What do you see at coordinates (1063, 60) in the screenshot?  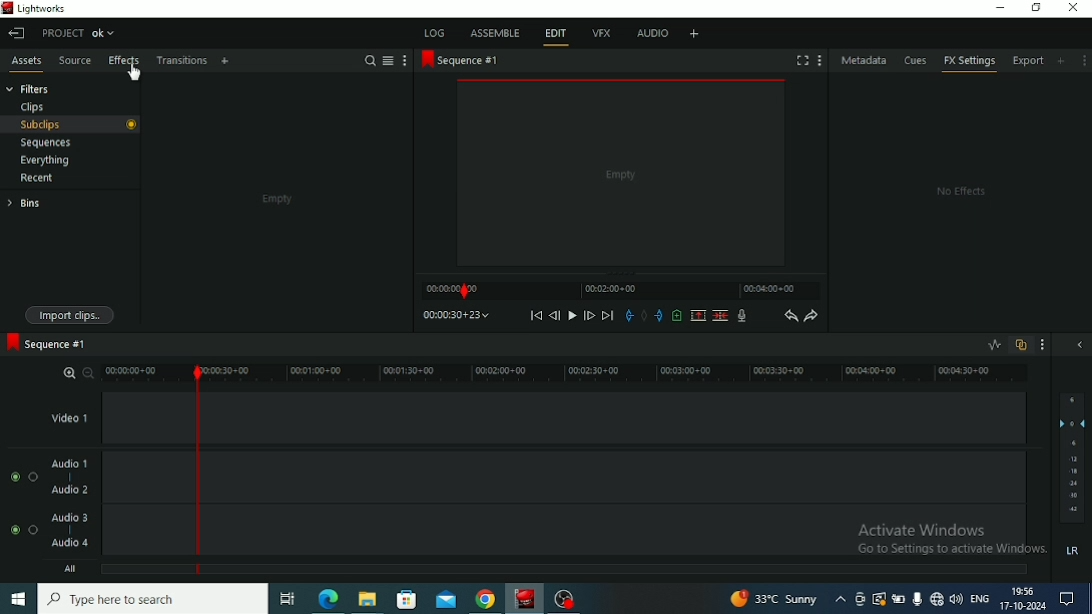 I see `Add panel` at bounding box center [1063, 60].